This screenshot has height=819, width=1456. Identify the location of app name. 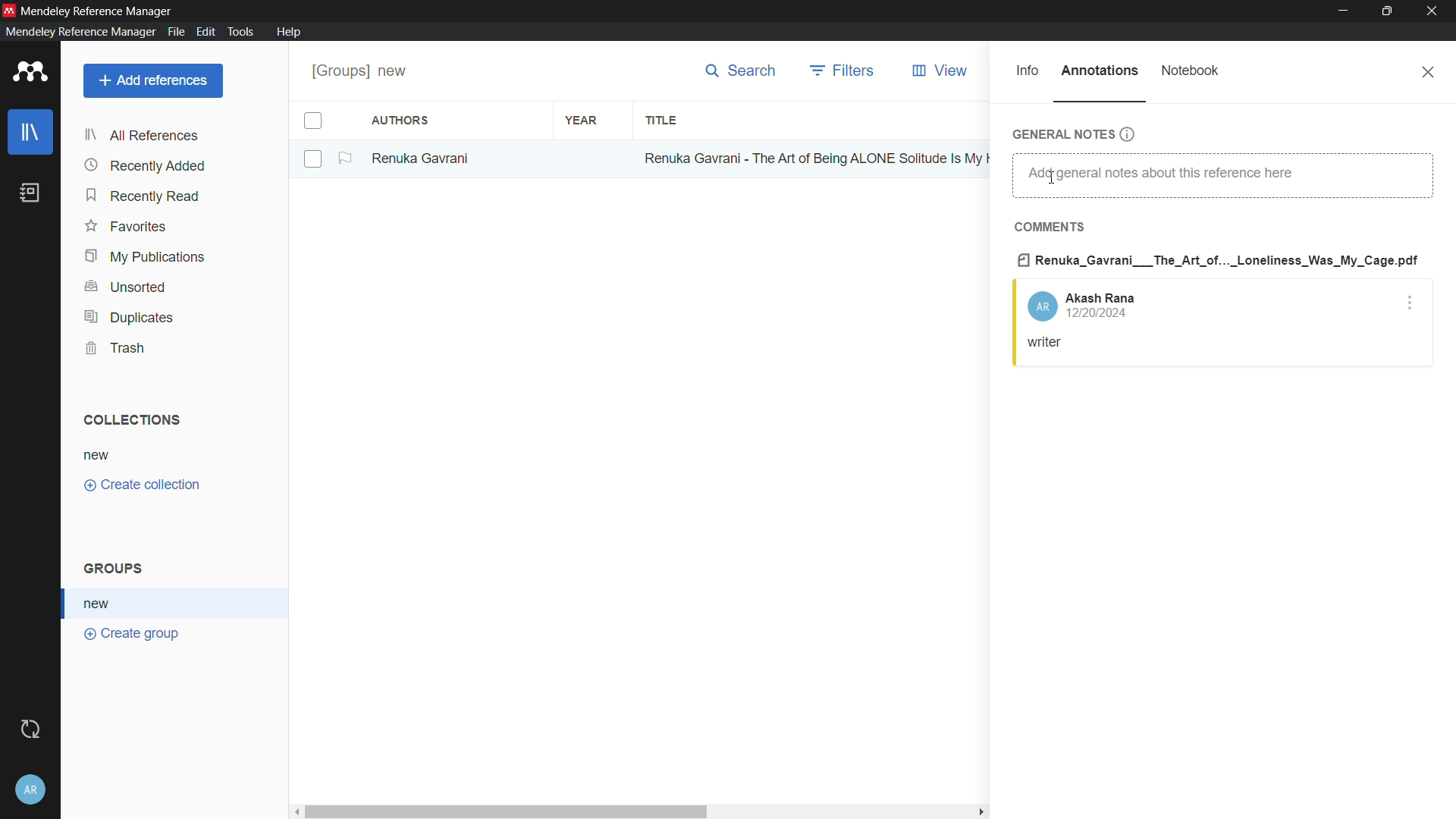
(99, 9).